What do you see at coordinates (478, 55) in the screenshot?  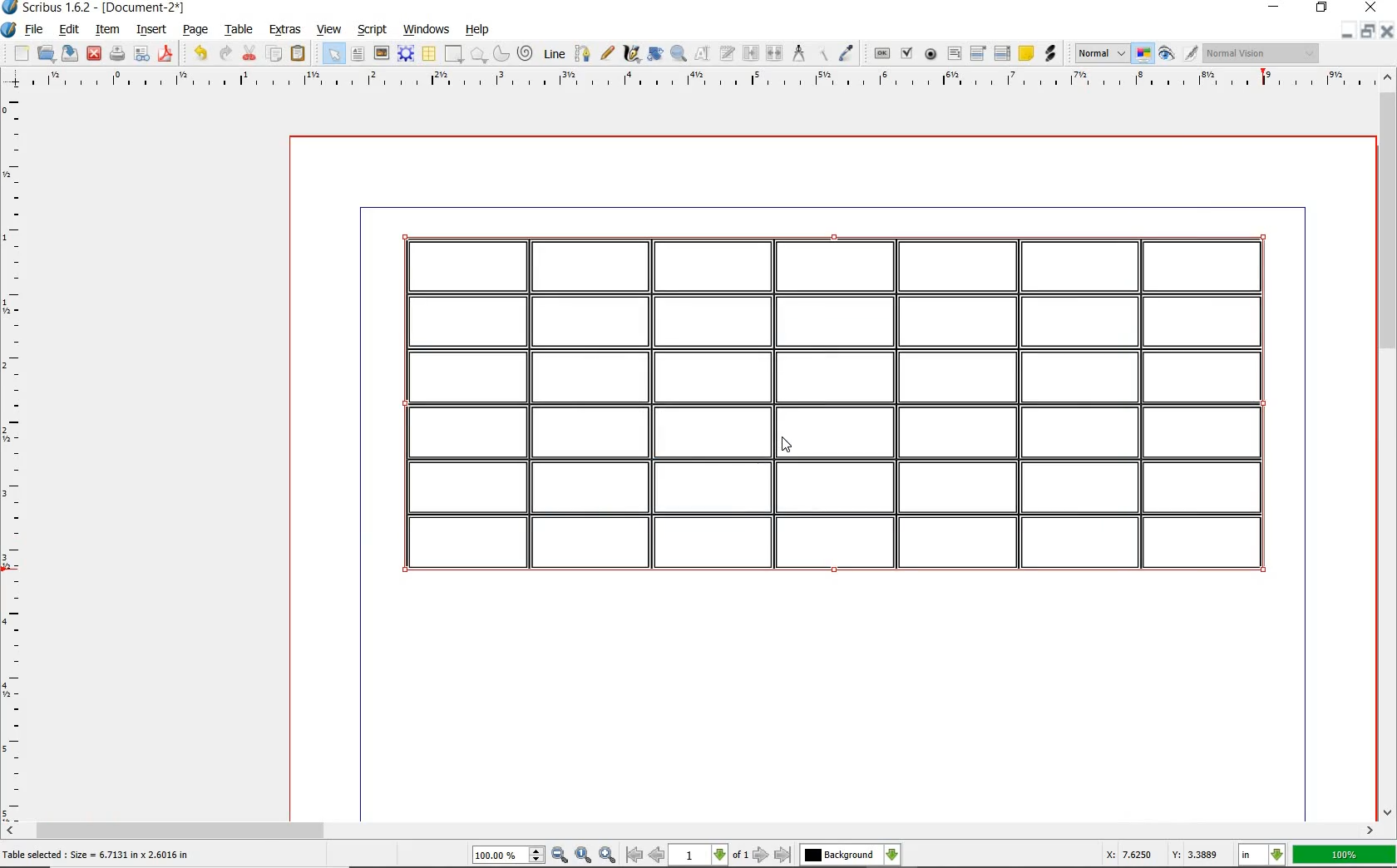 I see `polygon` at bounding box center [478, 55].